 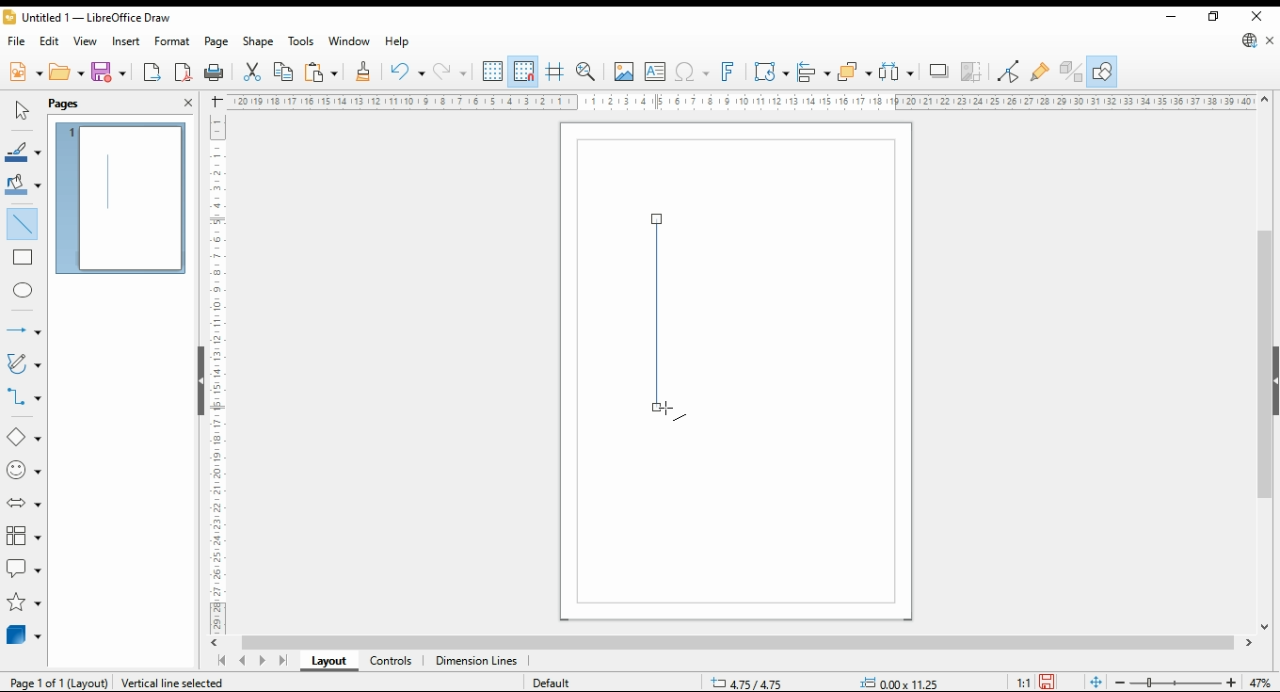 What do you see at coordinates (283, 72) in the screenshot?
I see `copy` at bounding box center [283, 72].